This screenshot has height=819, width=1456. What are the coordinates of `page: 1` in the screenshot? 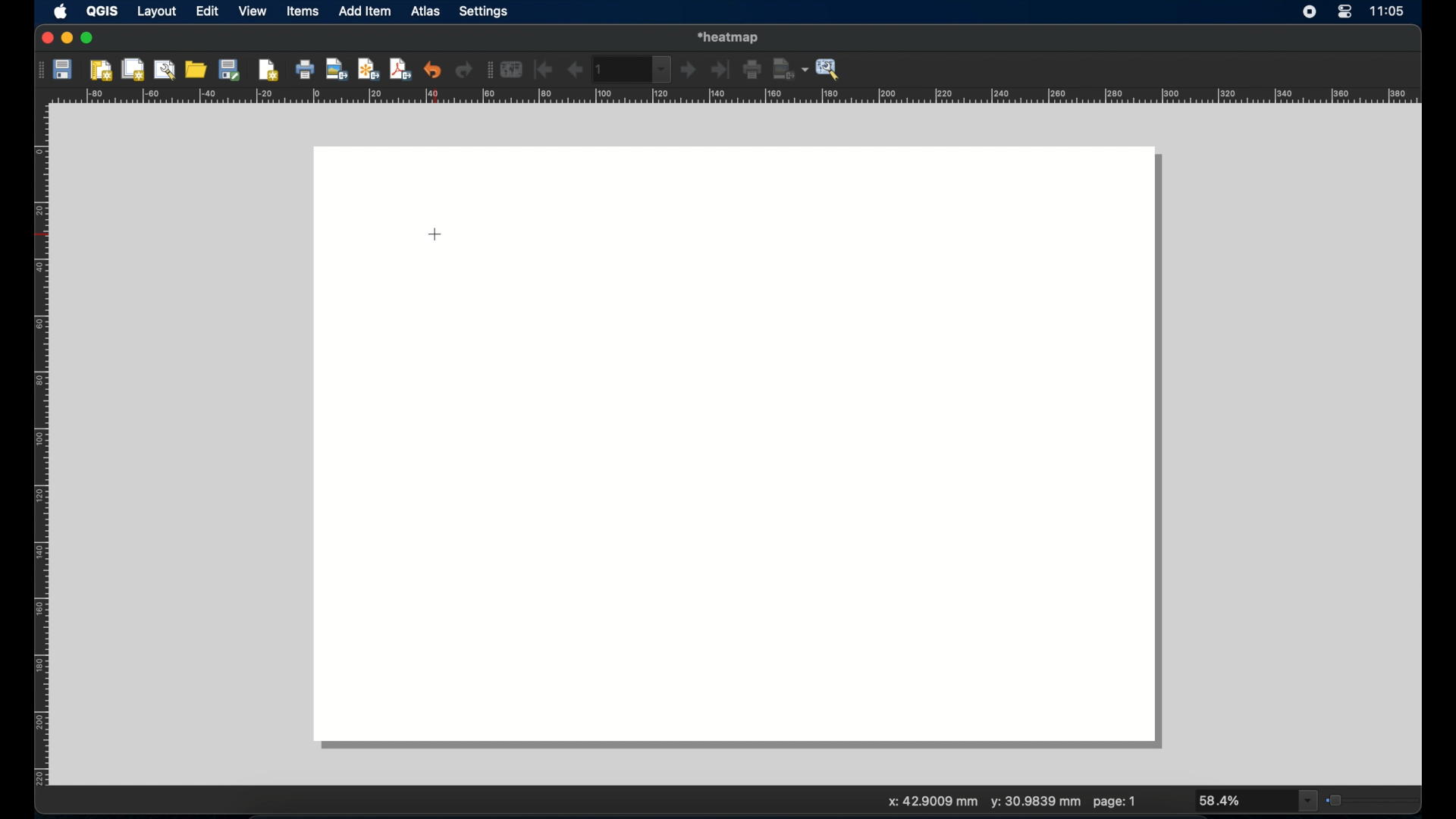 It's located at (1115, 802).